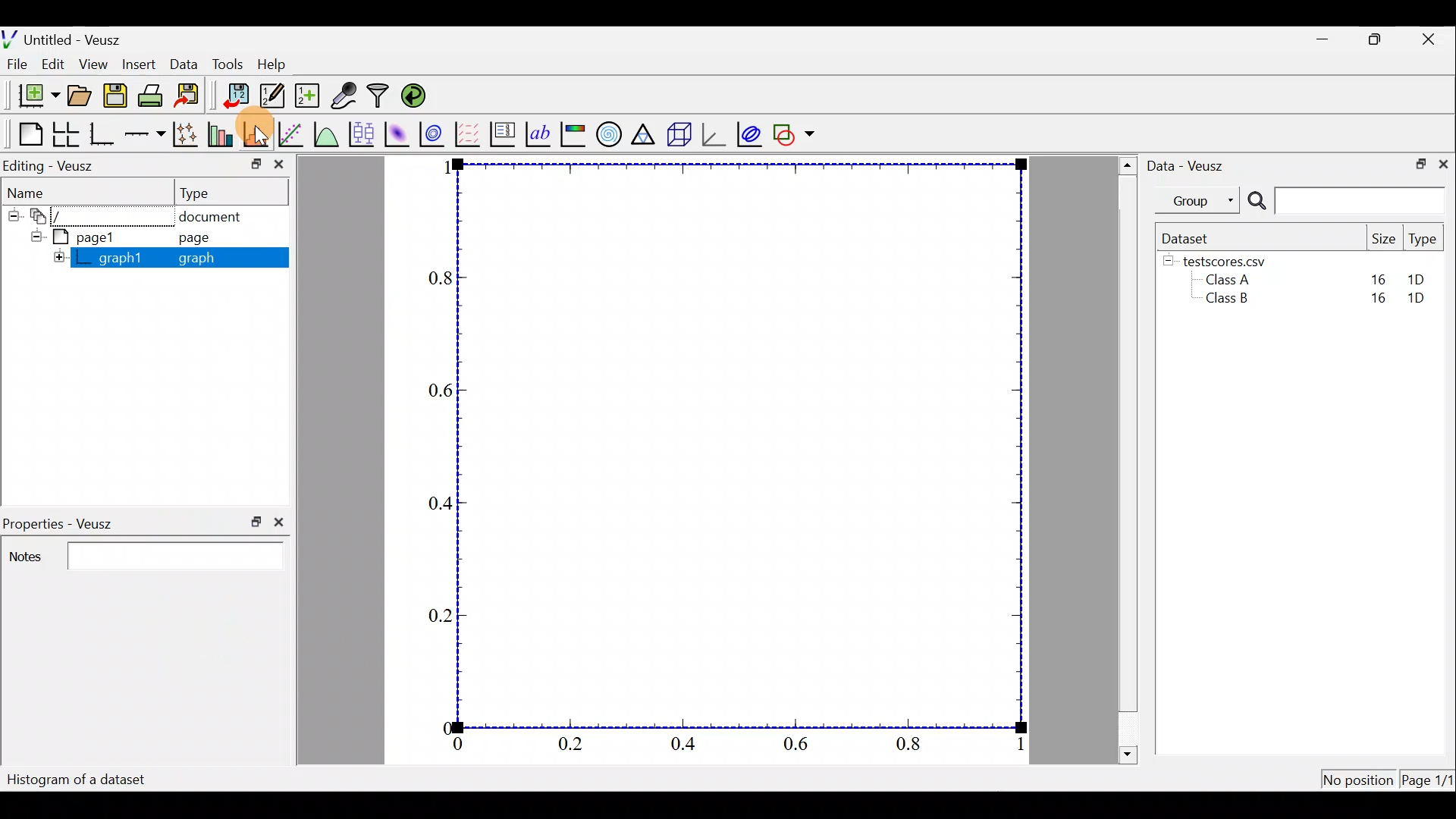 This screenshot has width=1456, height=819. What do you see at coordinates (1189, 237) in the screenshot?
I see `Dataset` at bounding box center [1189, 237].